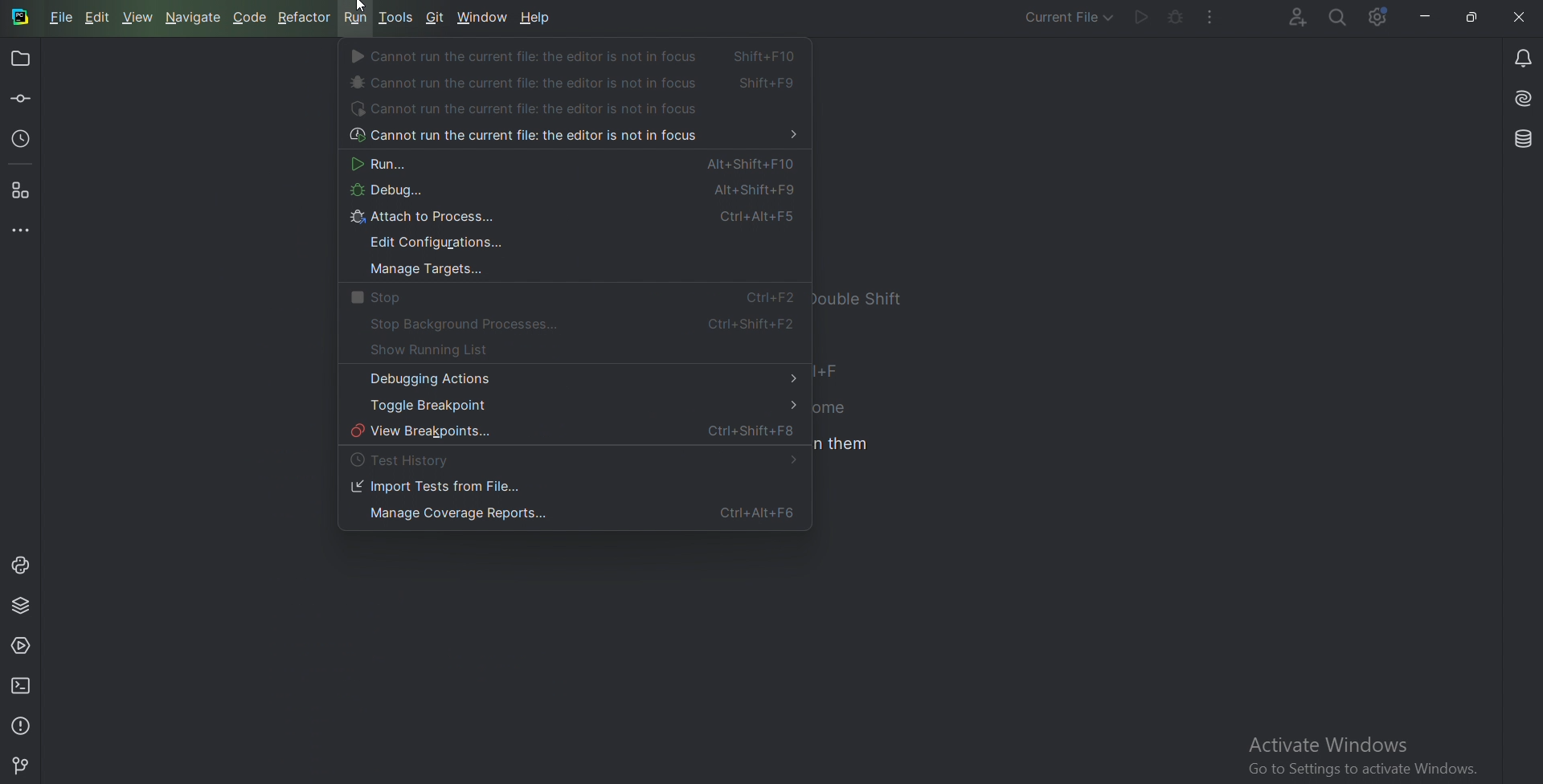 This screenshot has width=1543, height=784. I want to click on Terminal, so click(23, 685).